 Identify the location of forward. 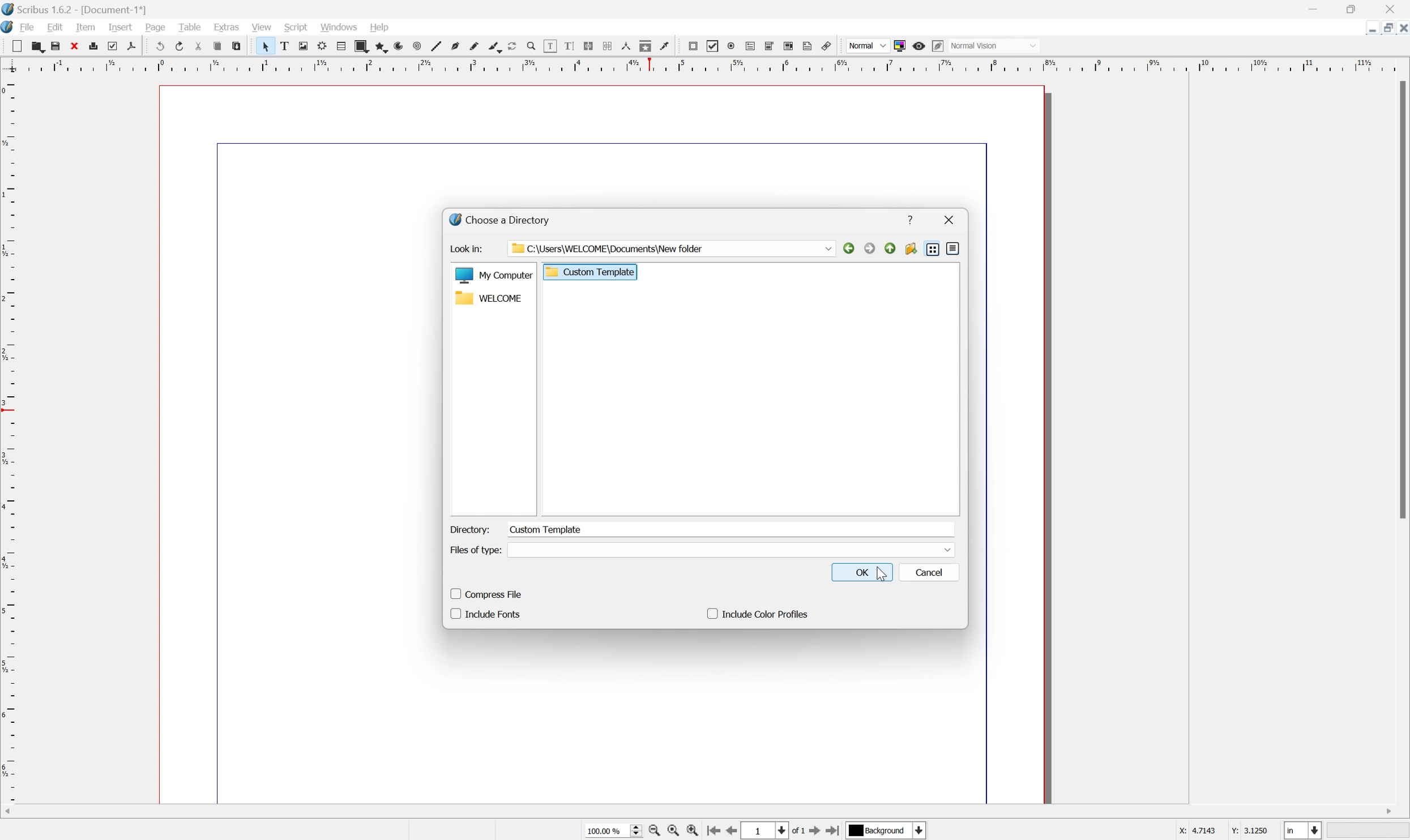
(868, 250).